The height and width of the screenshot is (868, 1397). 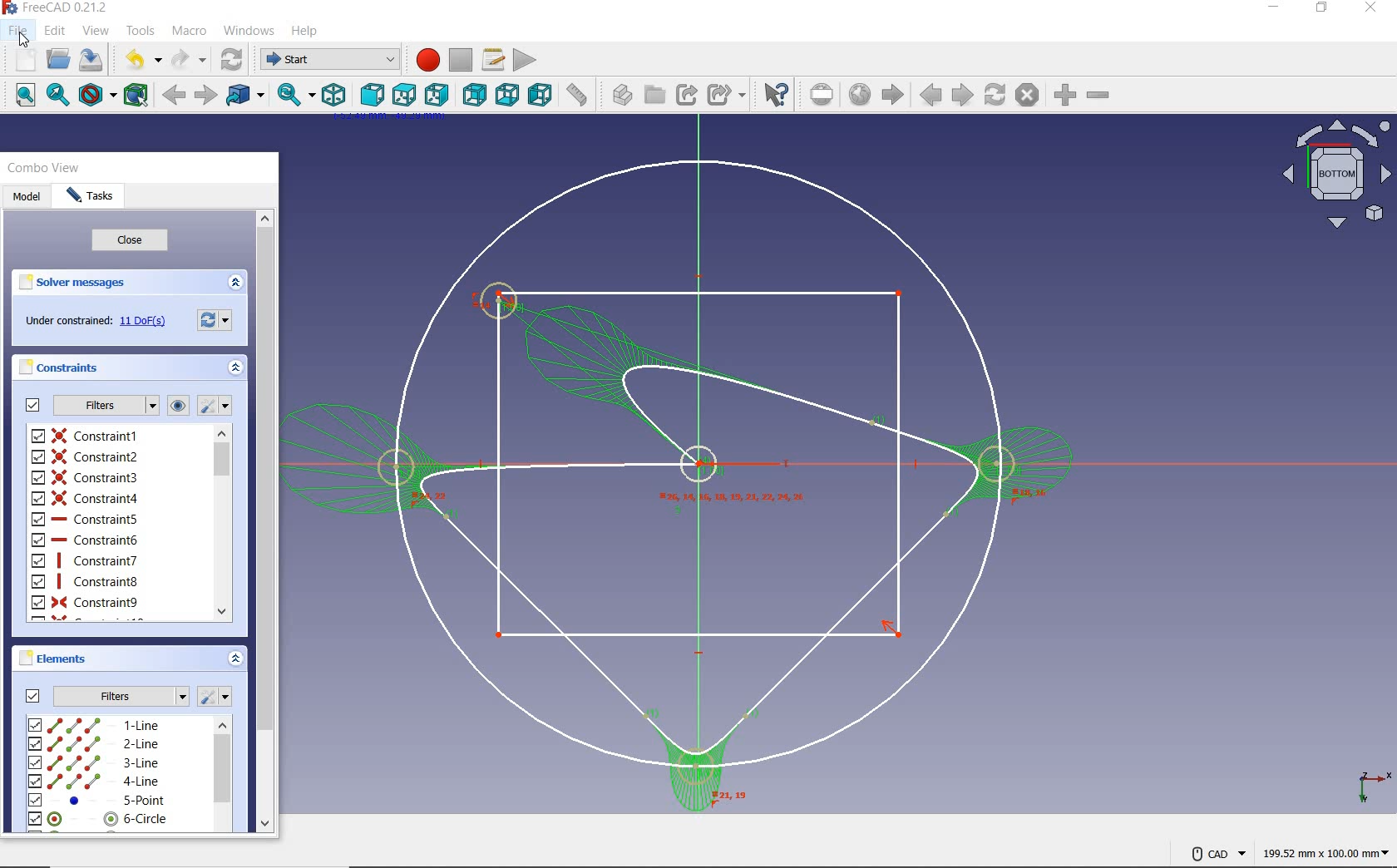 I want to click on macros, so click(x=492, y=60).